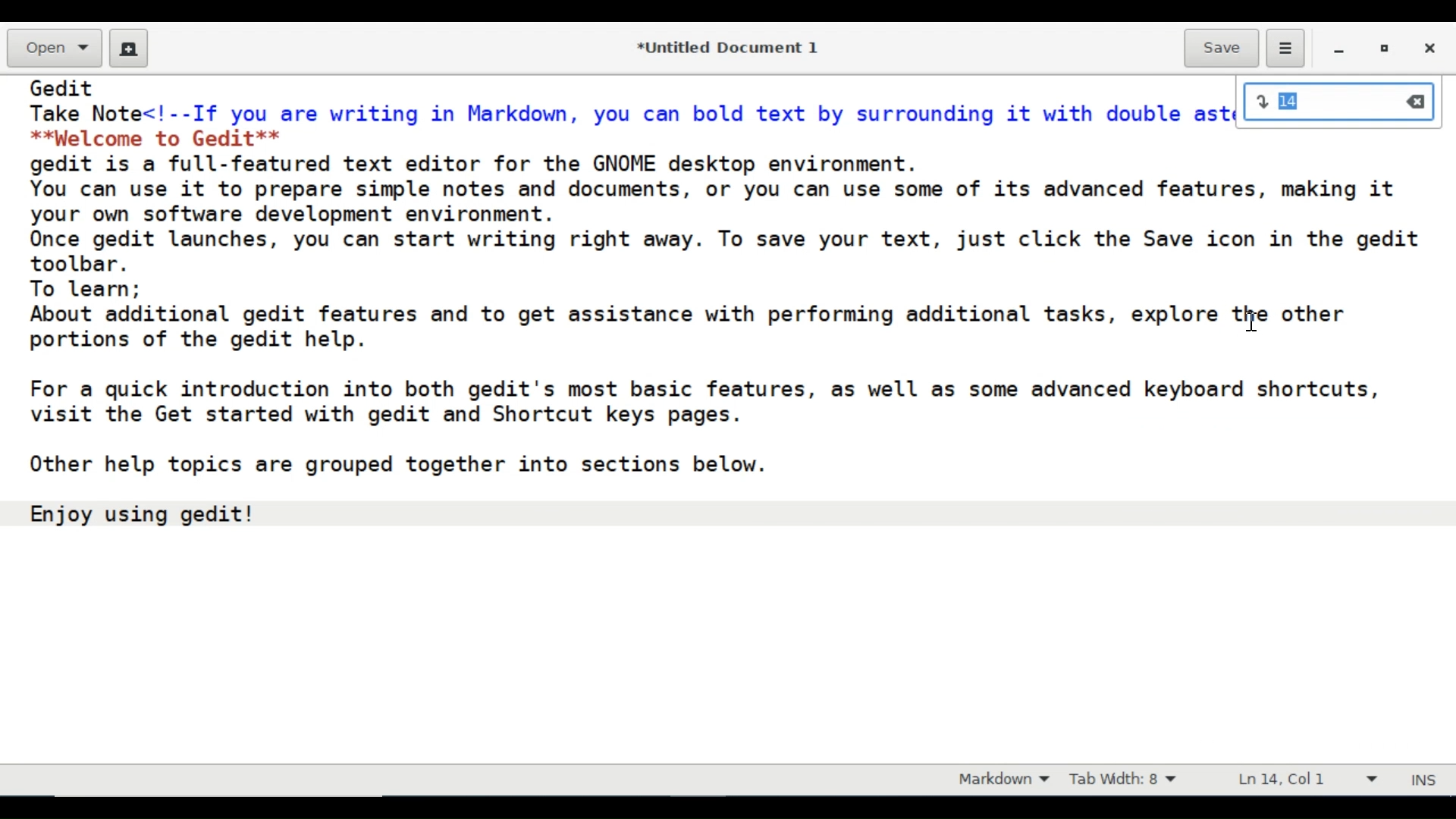 The width and height of the screenshot is (1456, 819). What do you see at coordinates (64, 87) in the screenshot?
I see `Gedit` at bounding box center [64, 87].